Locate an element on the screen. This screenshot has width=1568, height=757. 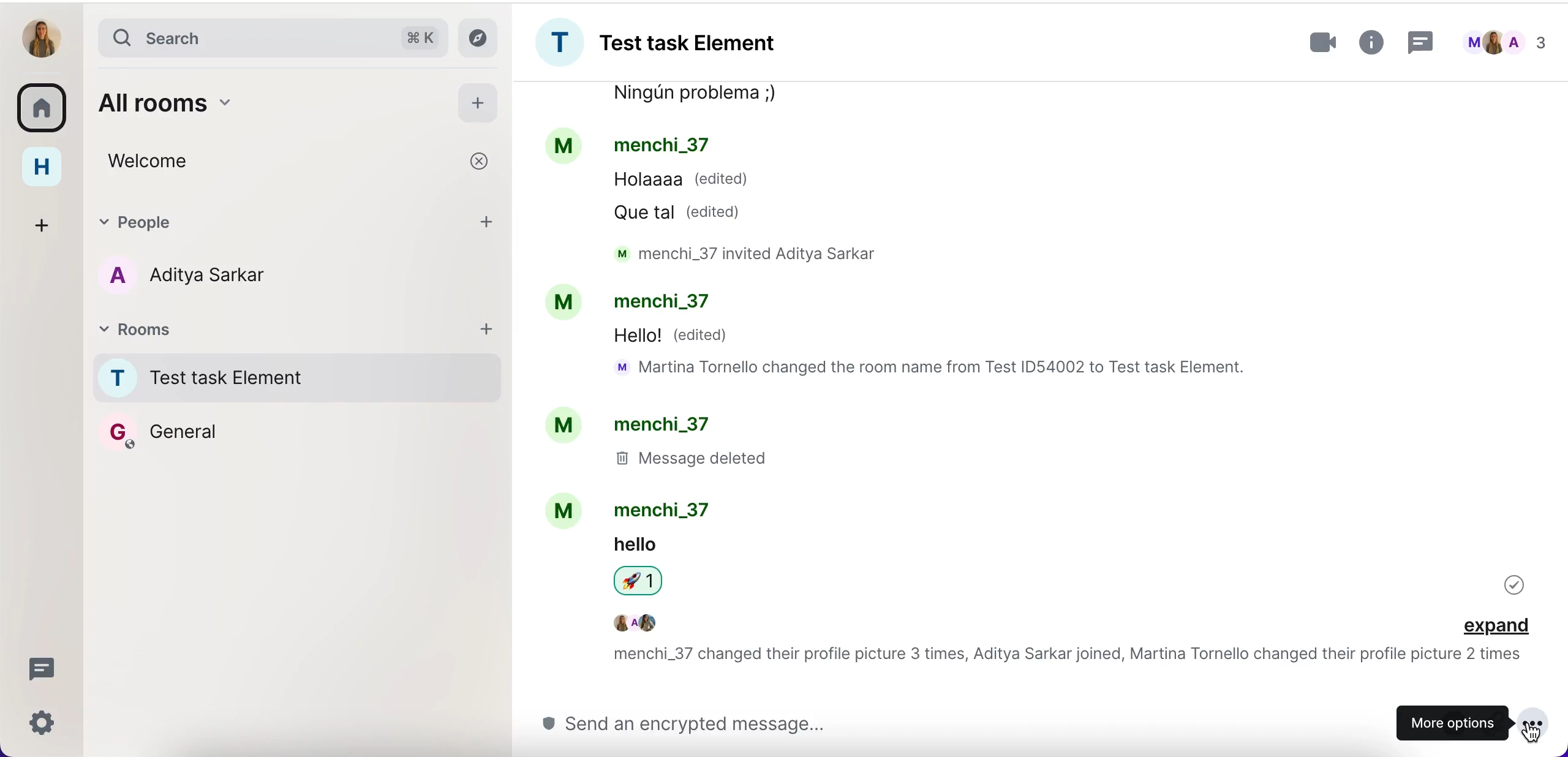
cancel is located at coordinates (481, 164).